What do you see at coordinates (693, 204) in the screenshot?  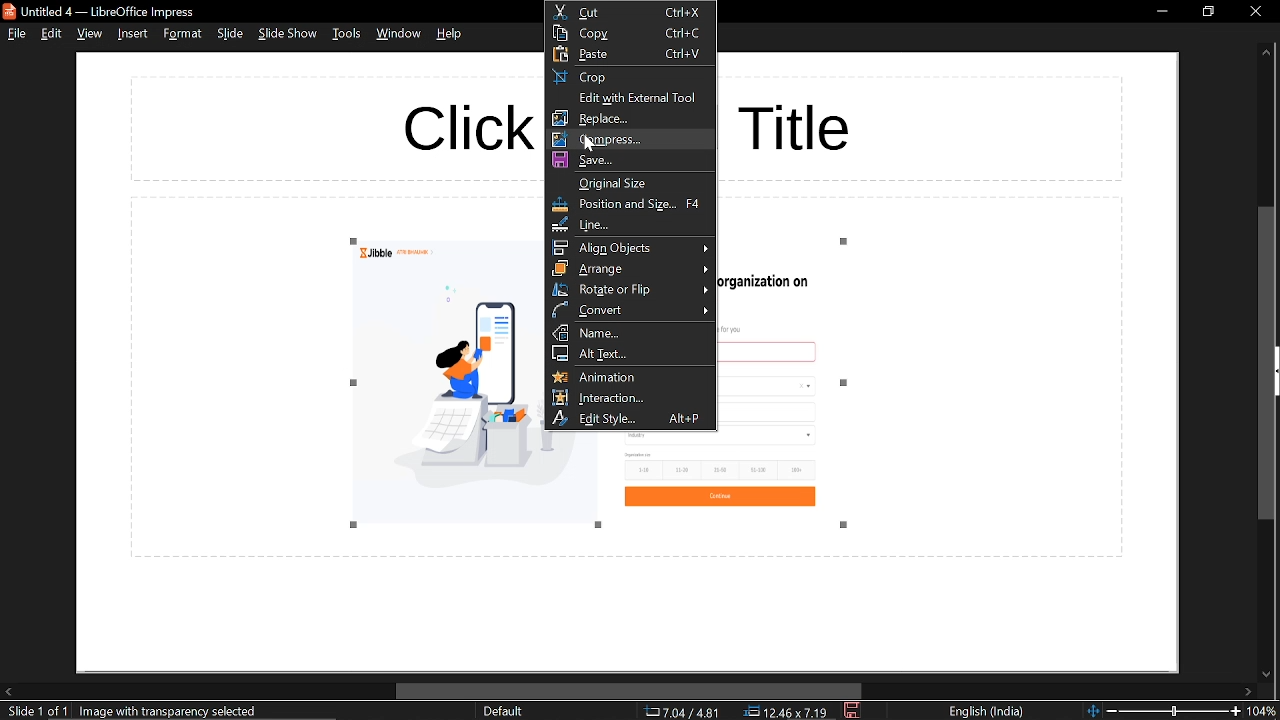 I see `F4` at bounding box center [693, 204].